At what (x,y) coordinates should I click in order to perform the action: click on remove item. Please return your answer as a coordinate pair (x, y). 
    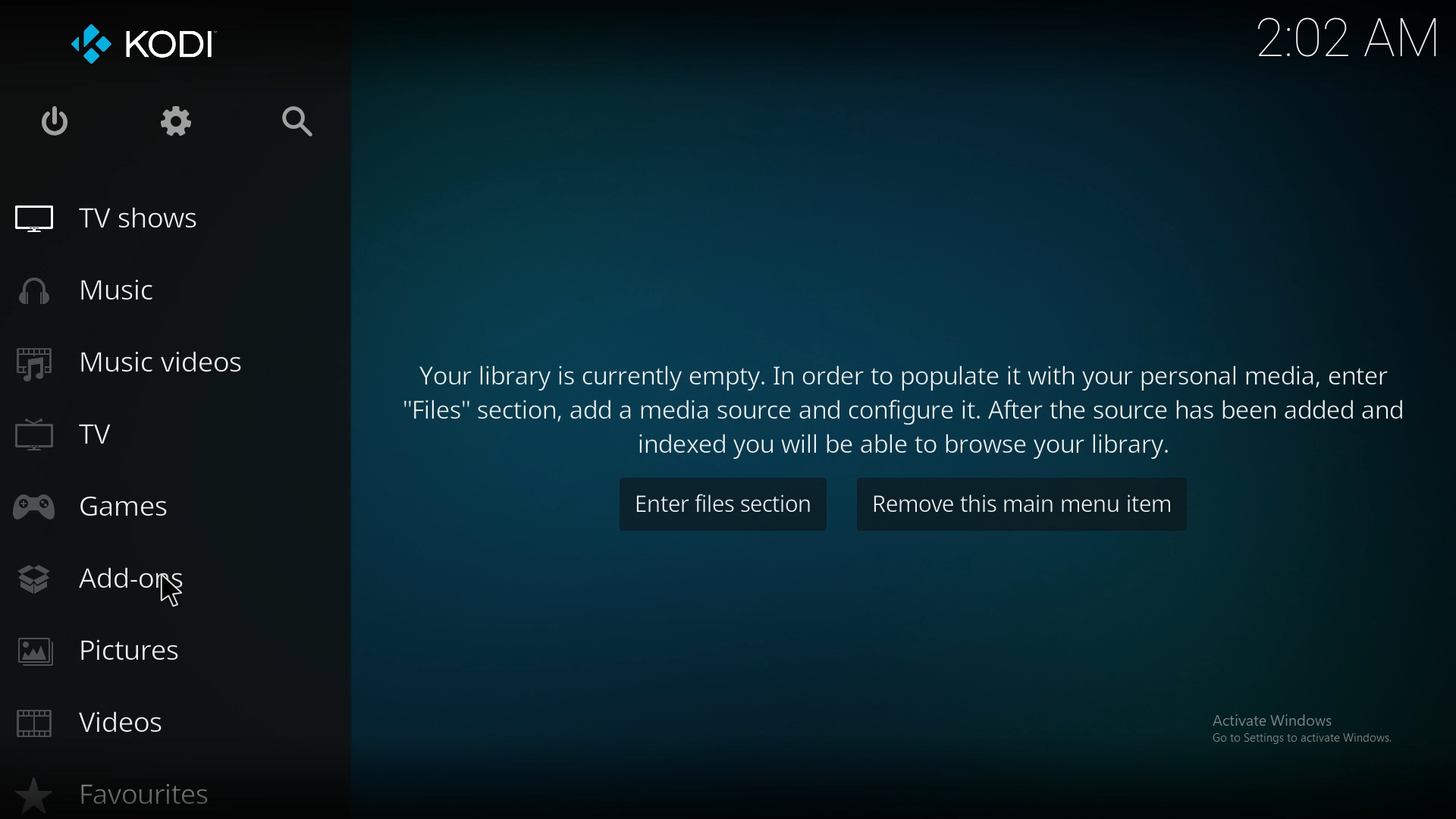
    Looking at the image, I should click on (1016, 504).